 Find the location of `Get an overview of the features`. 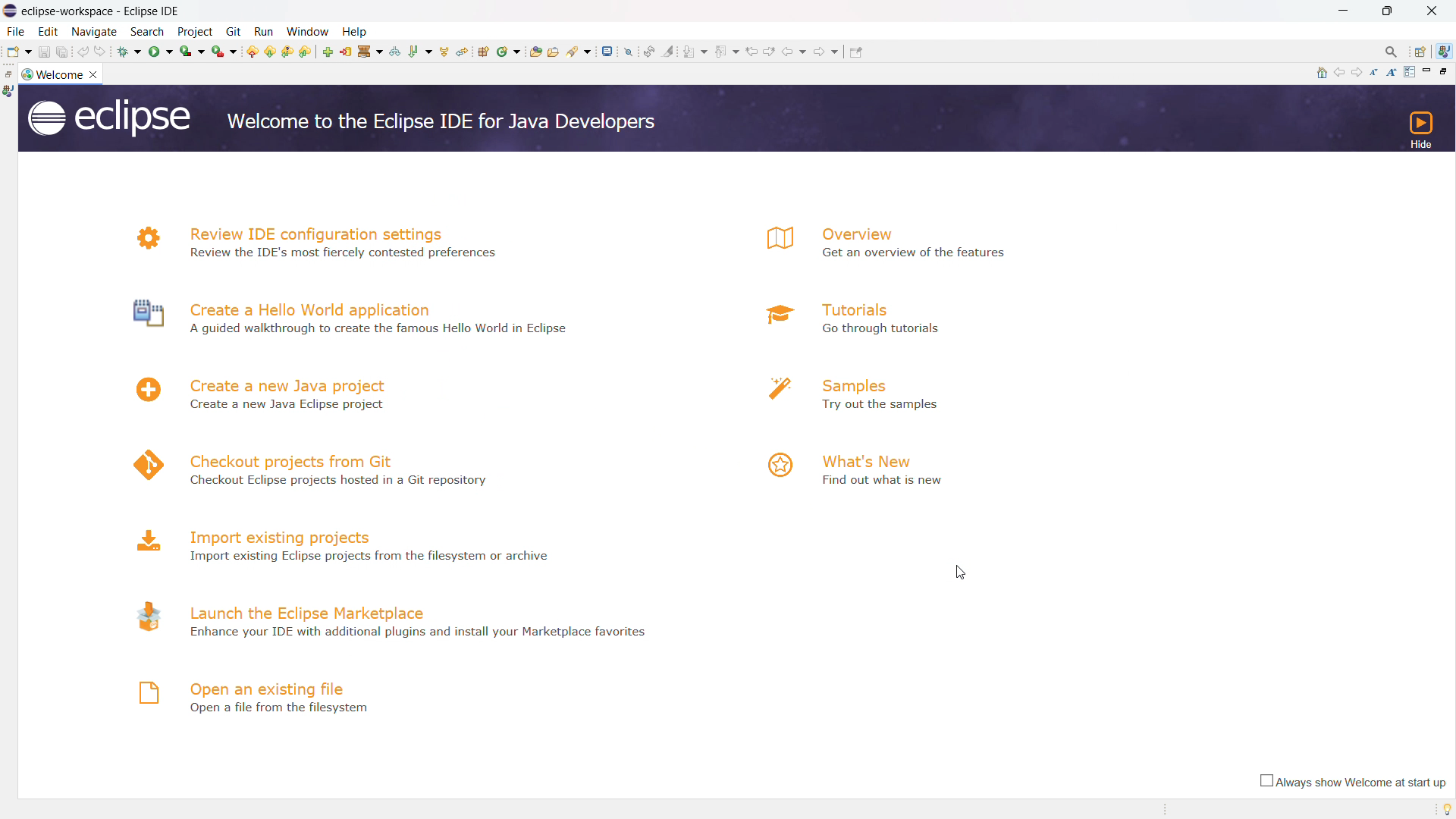

Get an overview of the features is located at coordinates (922, 256).